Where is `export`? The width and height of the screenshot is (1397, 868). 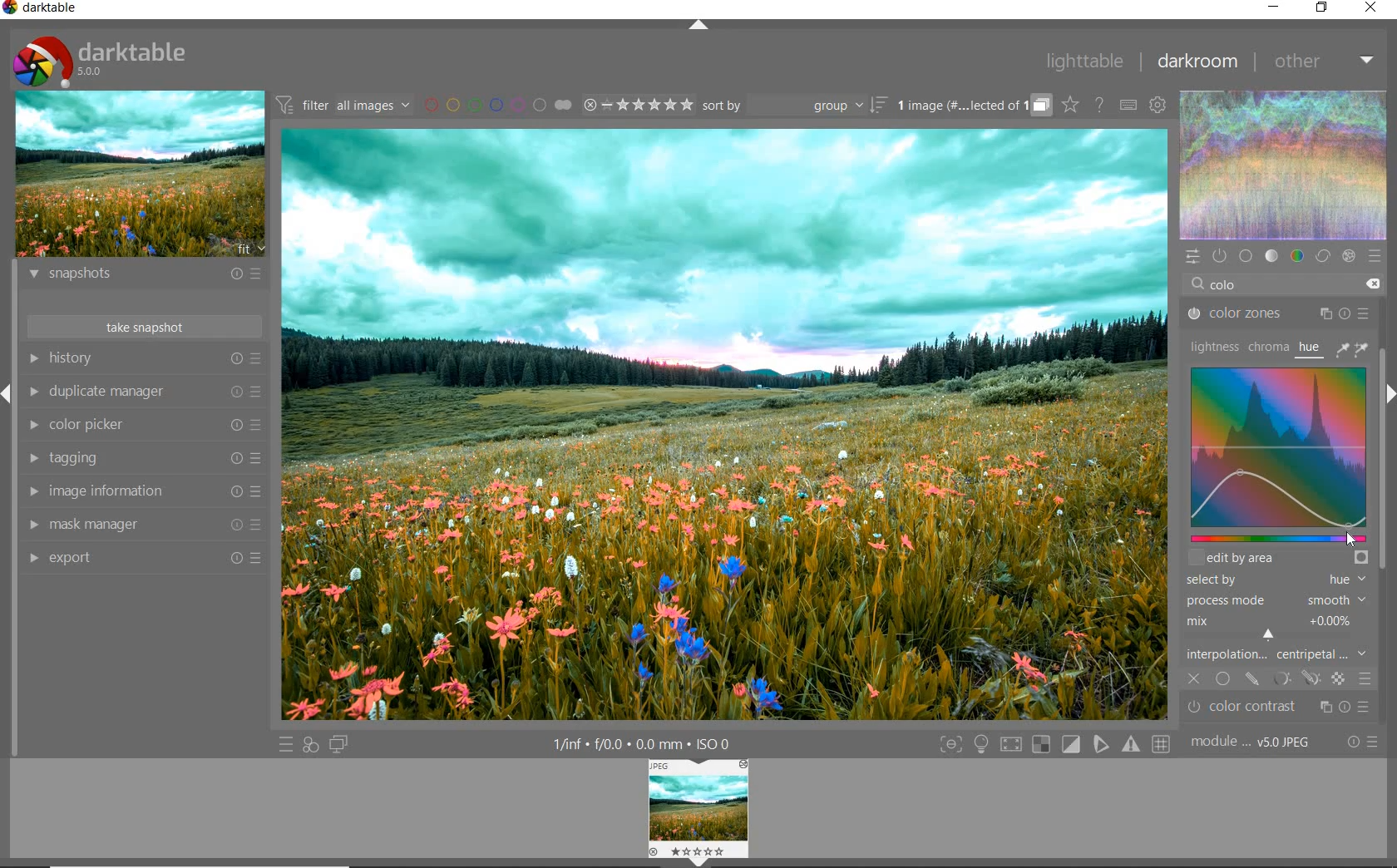 export is located at coordinates (142, 557).